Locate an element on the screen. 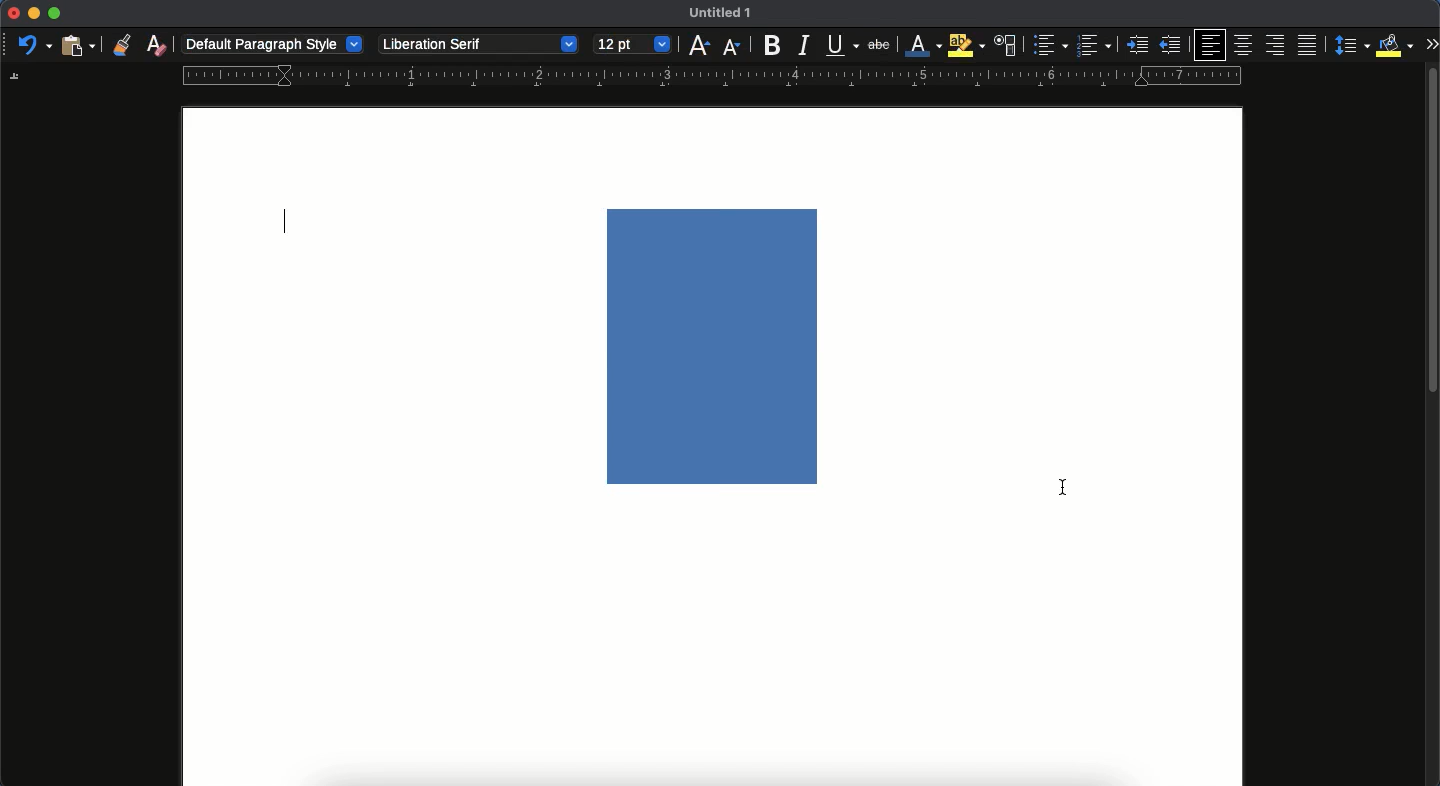  maximize is located at coordinates (56, 12).